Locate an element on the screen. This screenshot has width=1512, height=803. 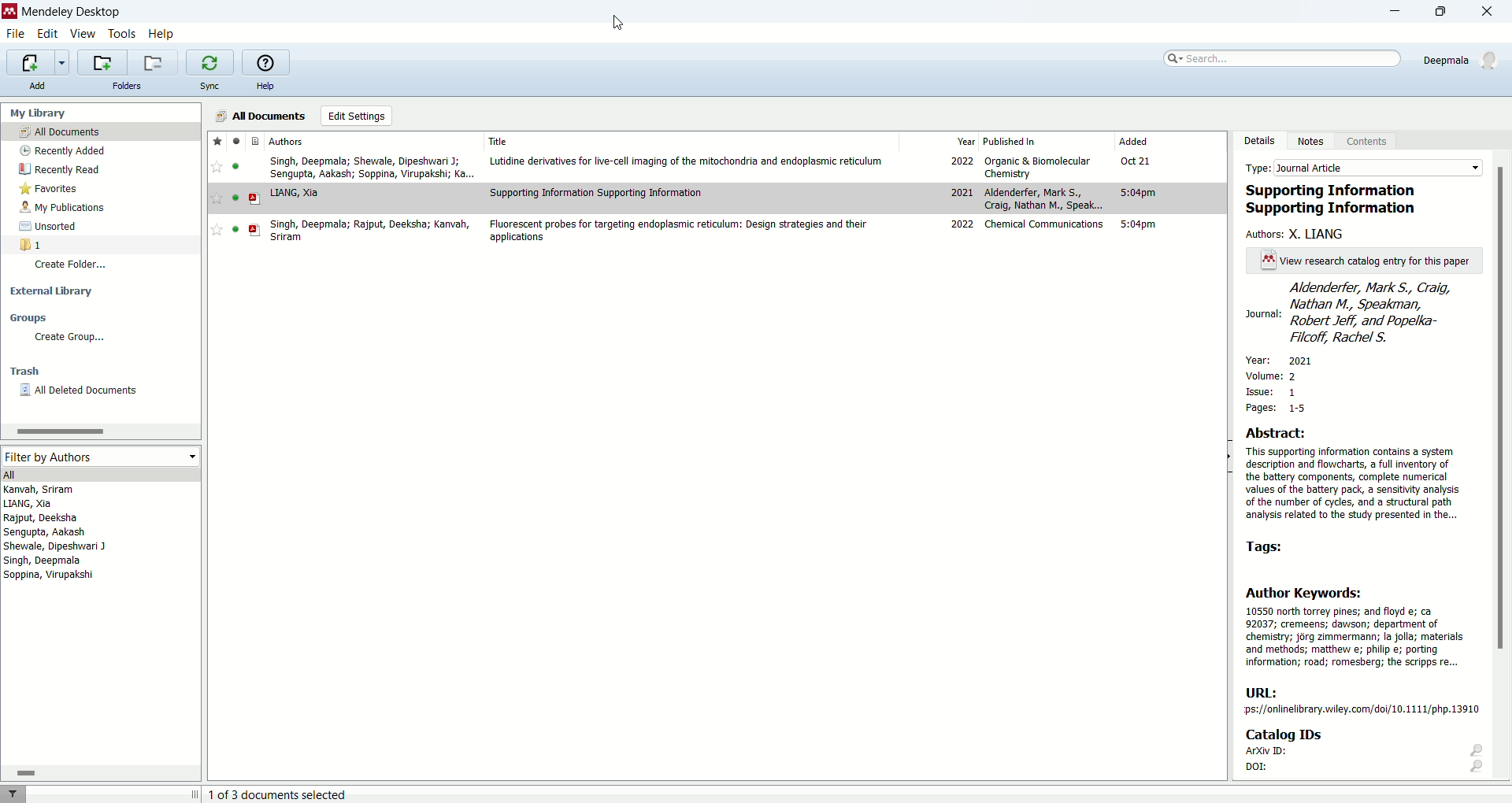
Organic & Biomolecular Chemistry is located at coordinates (1038, 168).